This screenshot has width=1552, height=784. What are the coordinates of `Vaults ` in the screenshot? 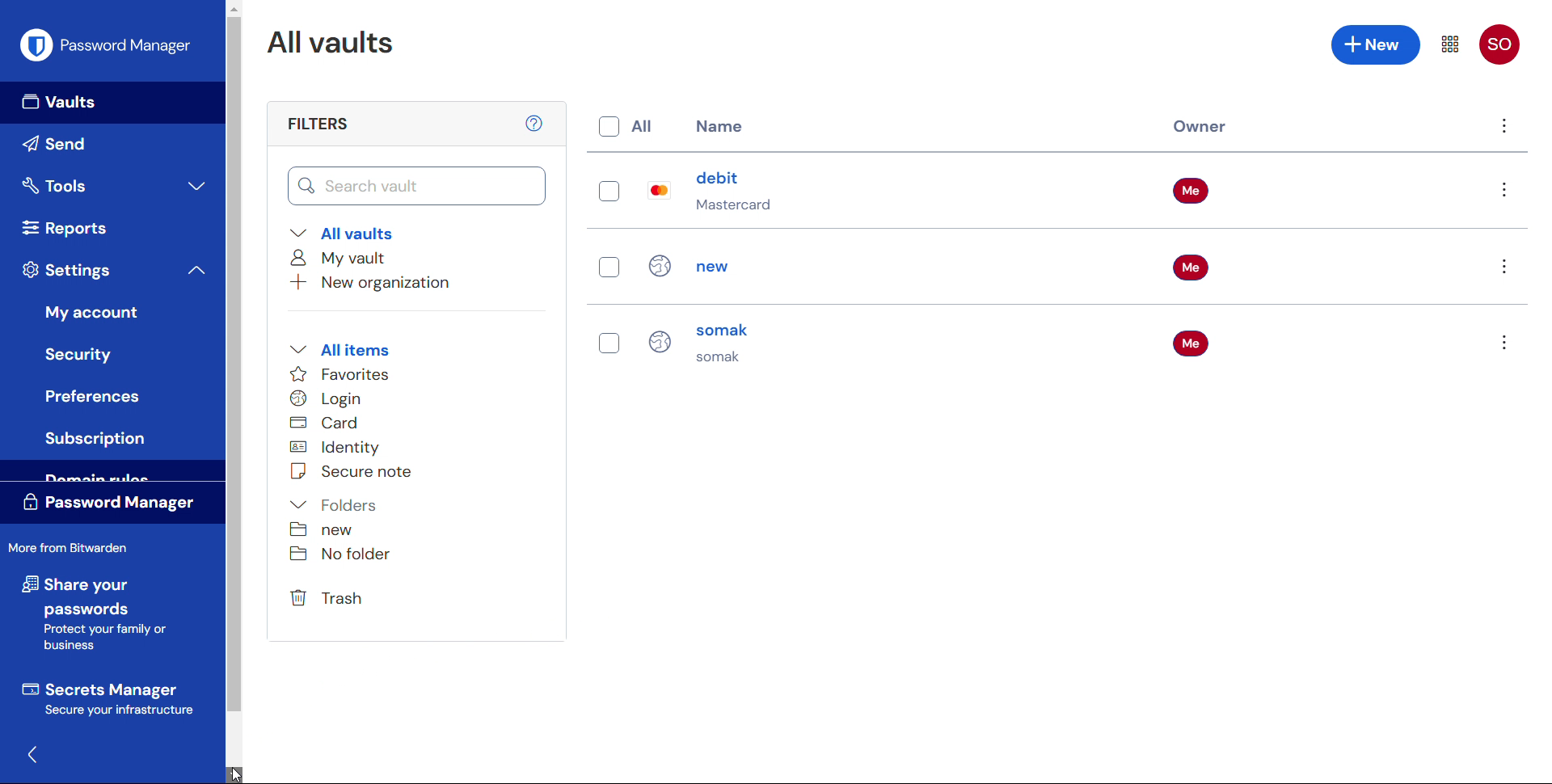 It's located at (112, 103).